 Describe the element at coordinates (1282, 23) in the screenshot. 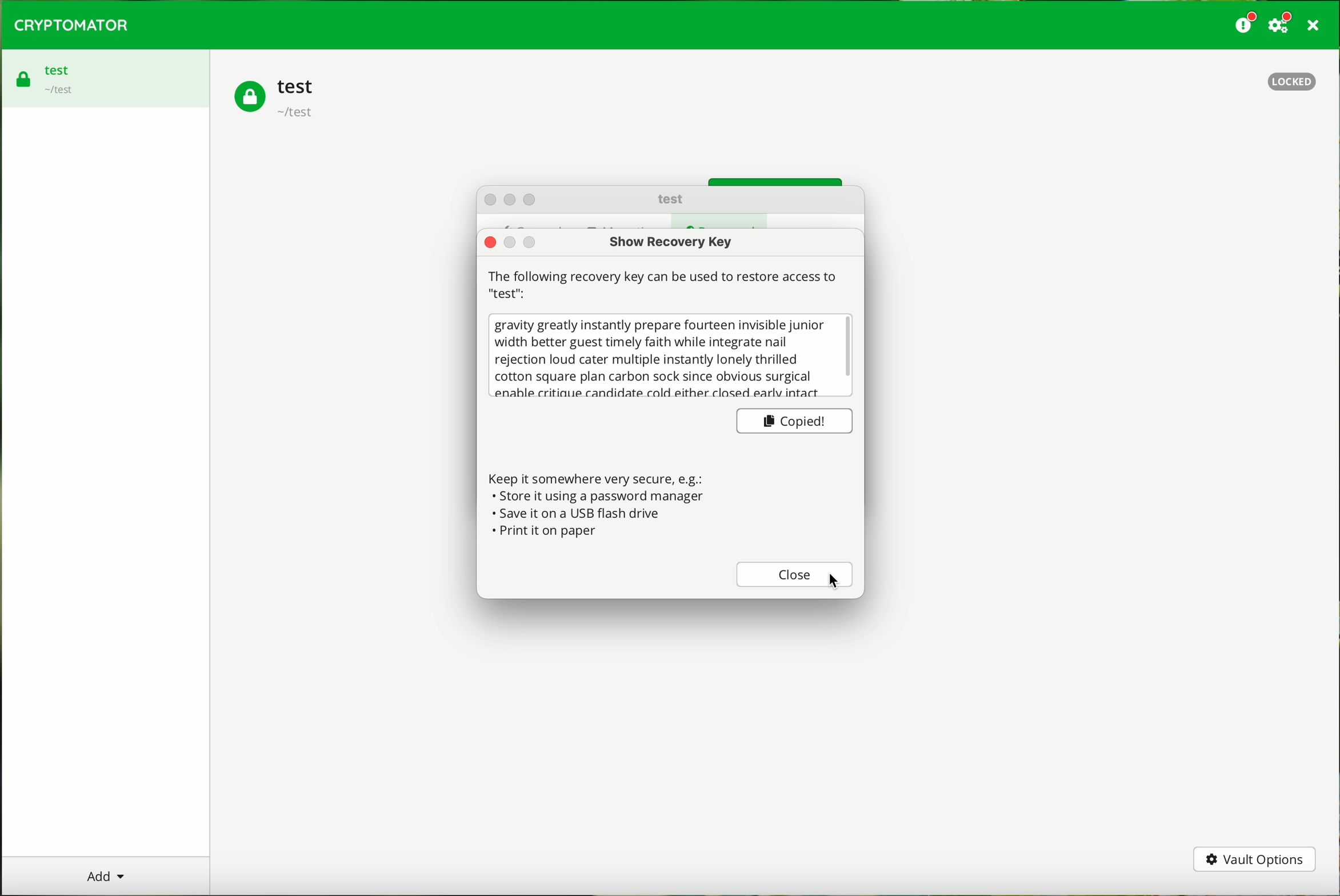

I see `settings` at that location.